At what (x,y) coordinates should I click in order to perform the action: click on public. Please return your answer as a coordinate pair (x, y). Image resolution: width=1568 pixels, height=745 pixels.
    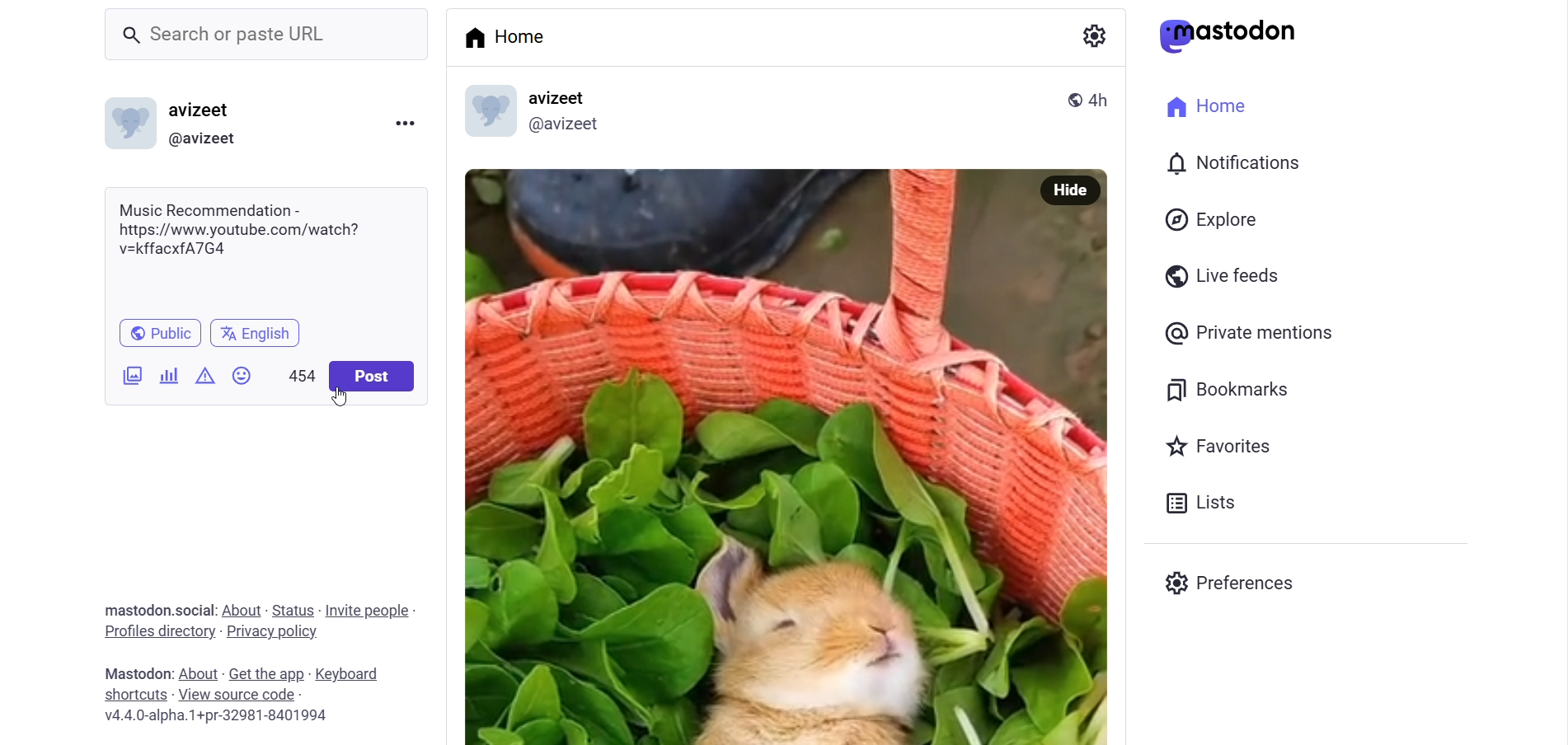
    Looking at the image, I should click on (1074, 100).